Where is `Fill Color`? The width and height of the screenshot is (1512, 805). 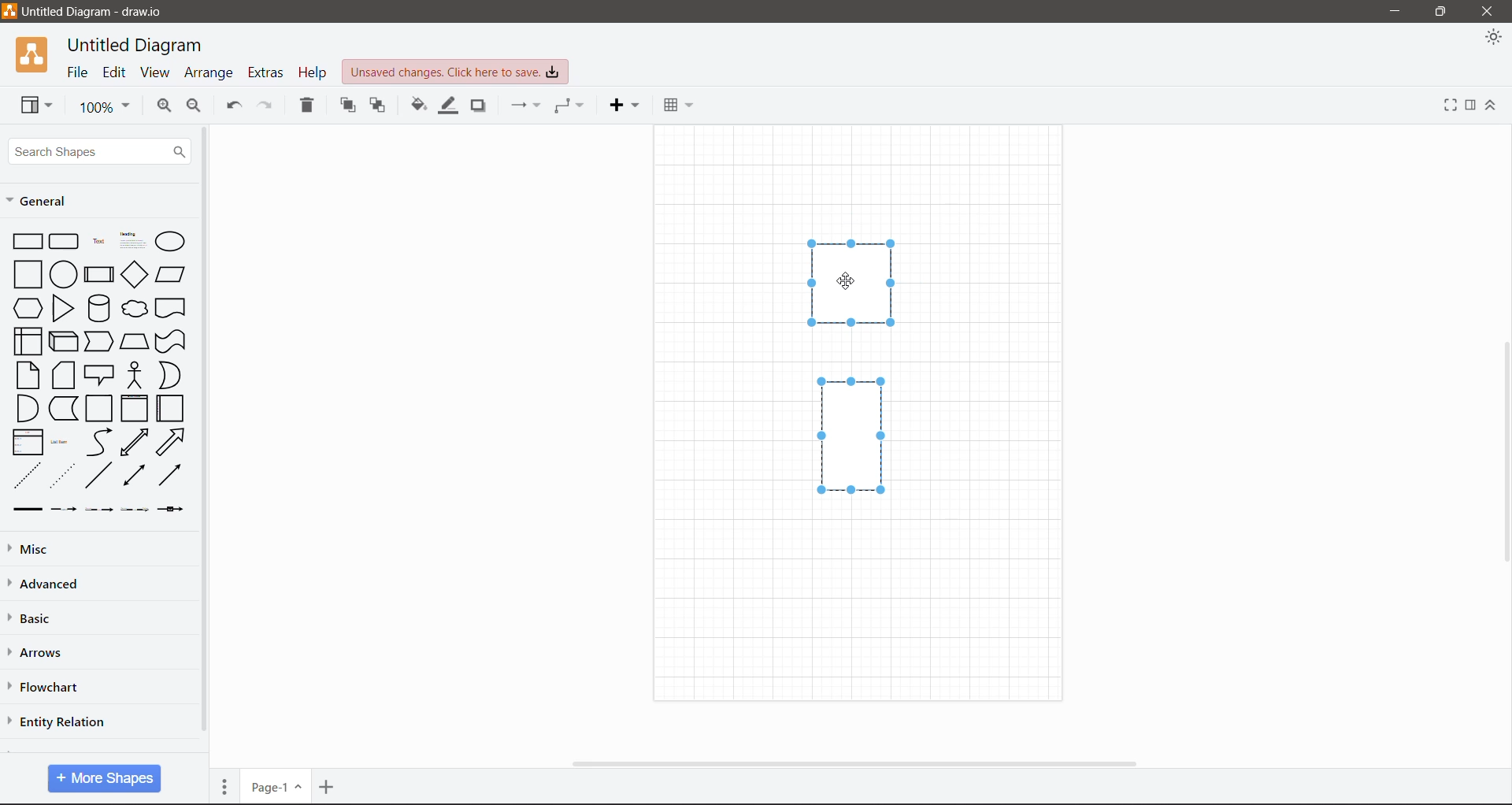
Fill Color is located at coordinates (418, 108).